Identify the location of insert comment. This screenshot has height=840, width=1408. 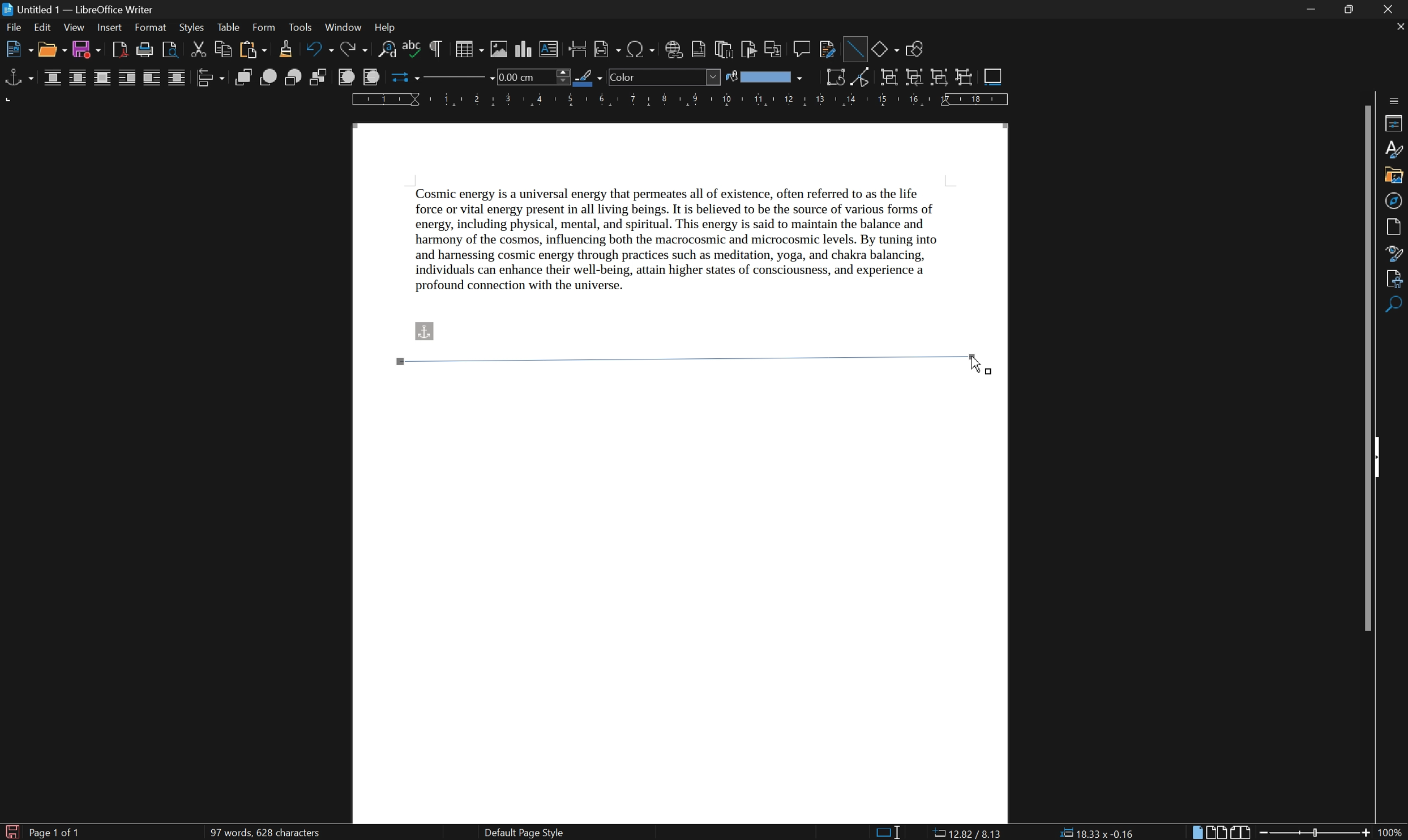
(803, 48).